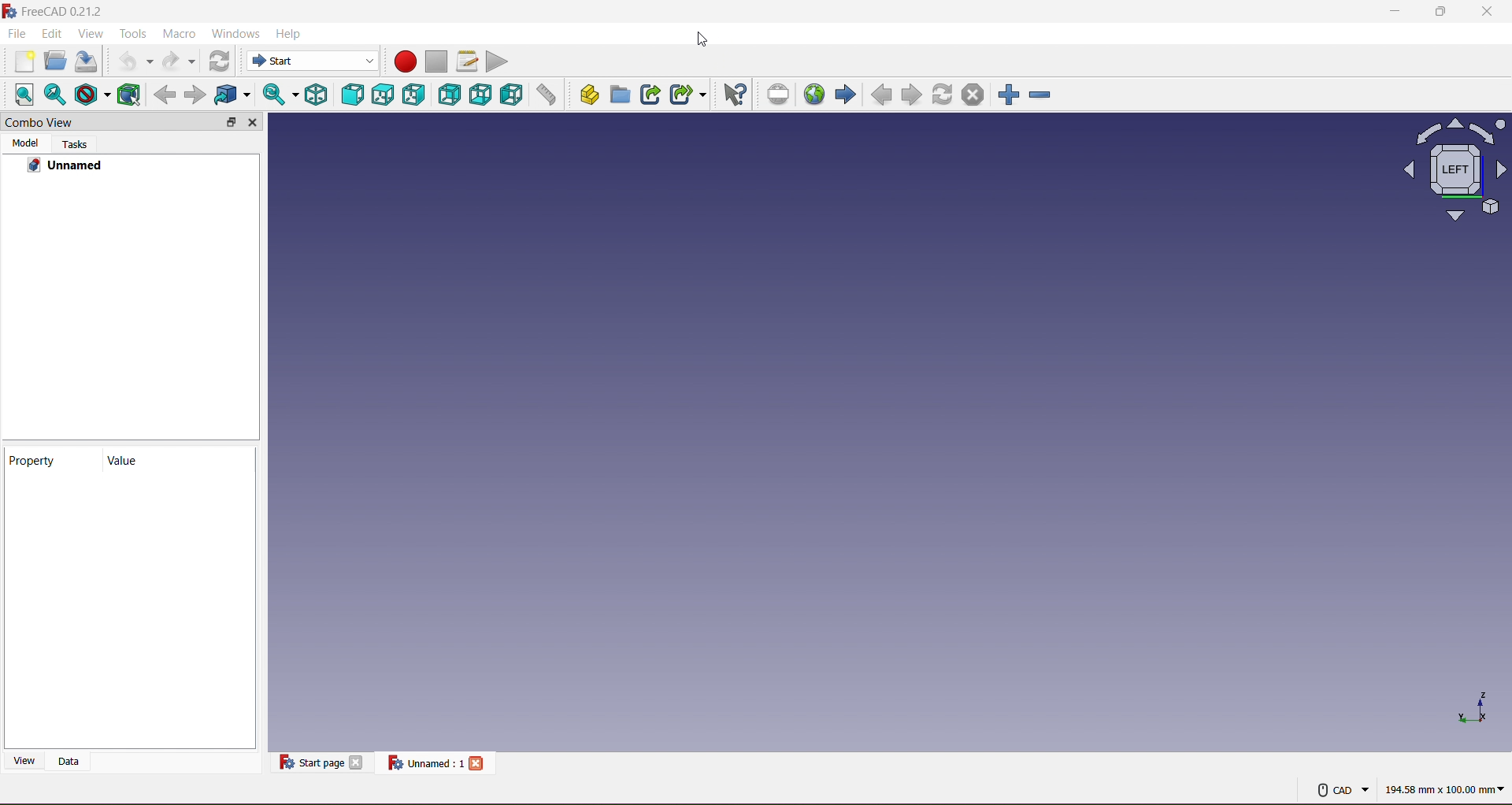 The height and width of the screenshot is (805, 1512). Describe the element at coordinates (1483, 709) in the screenshot. I see `Axis` at that location.